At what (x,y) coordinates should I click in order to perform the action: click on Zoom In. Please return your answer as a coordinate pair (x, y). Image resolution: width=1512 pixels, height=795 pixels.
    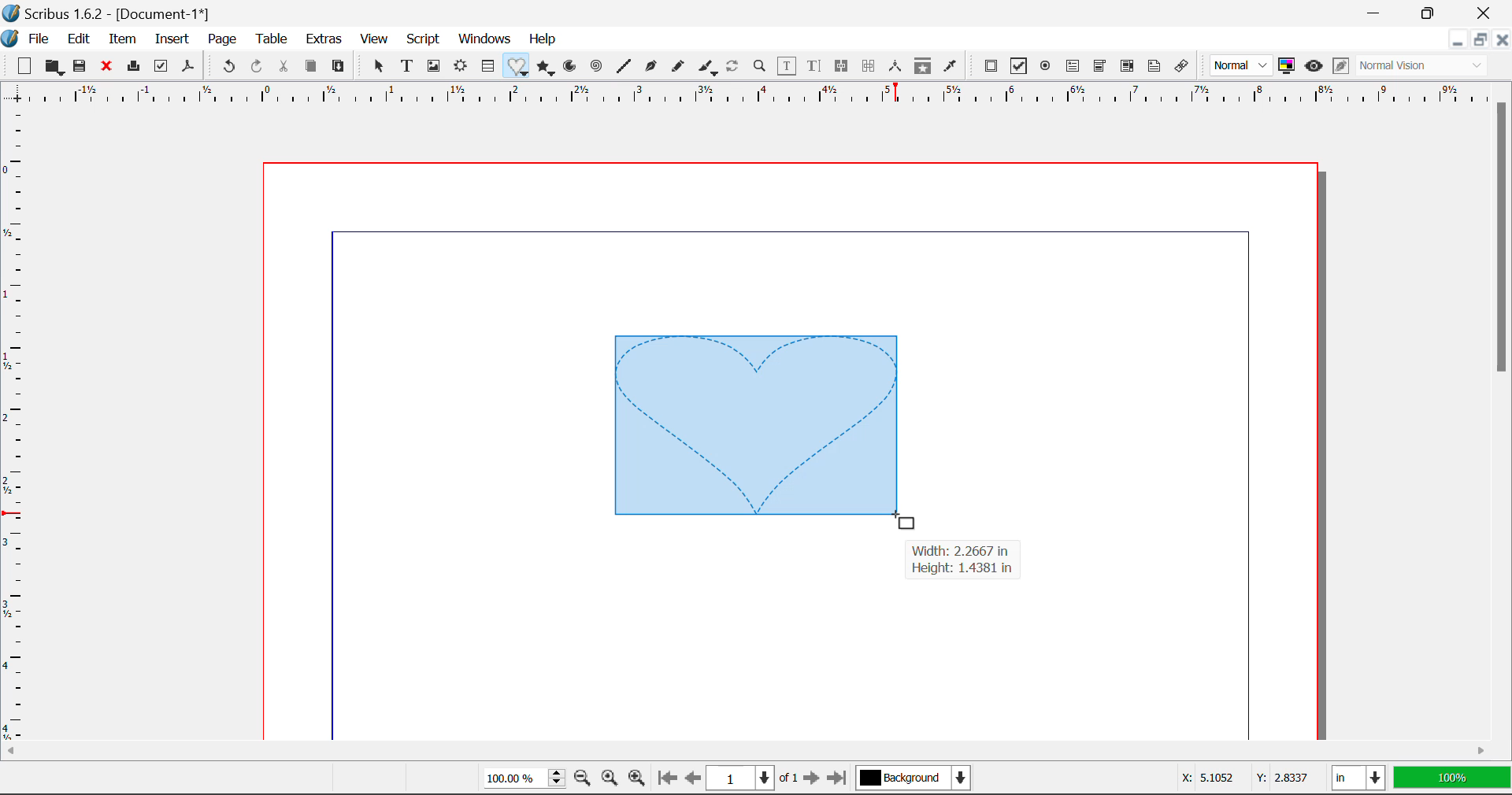
    Looking at the image, I should click on (637, 779).